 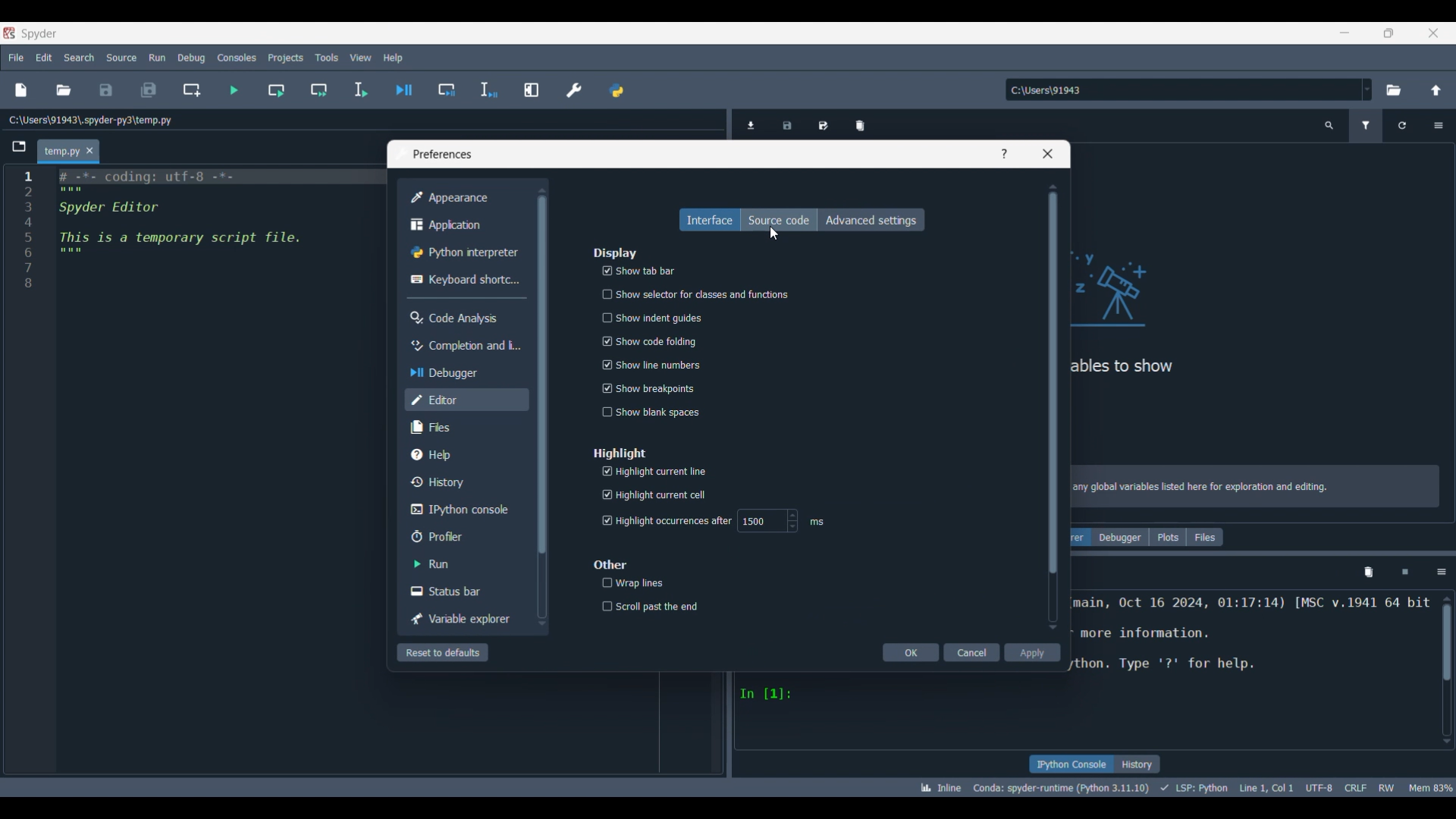 I want to click on Create new cell at current line, so click(x=192, y=90).